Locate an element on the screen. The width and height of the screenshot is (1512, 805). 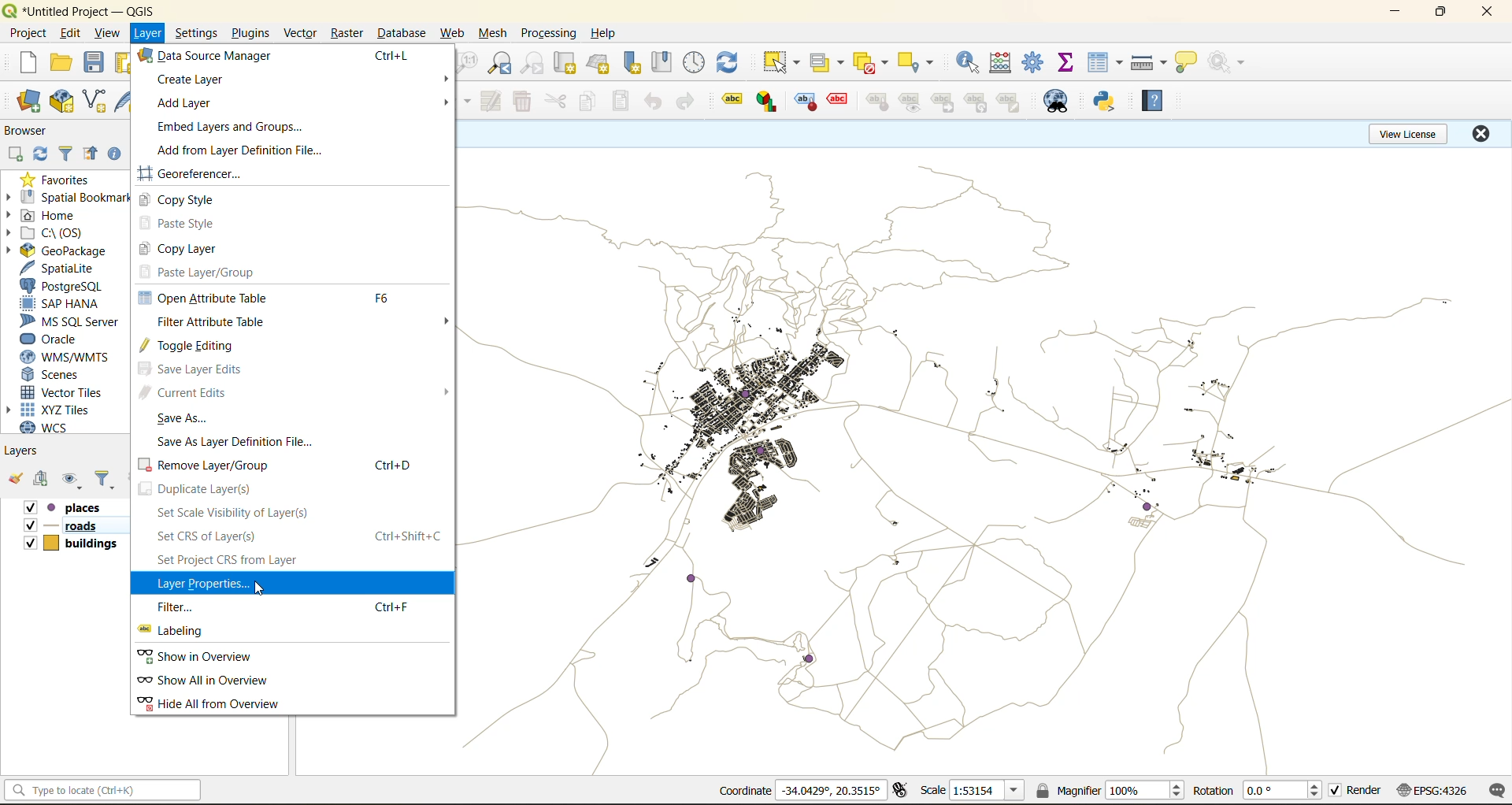
zoom next is located at coordinates (533, 65).